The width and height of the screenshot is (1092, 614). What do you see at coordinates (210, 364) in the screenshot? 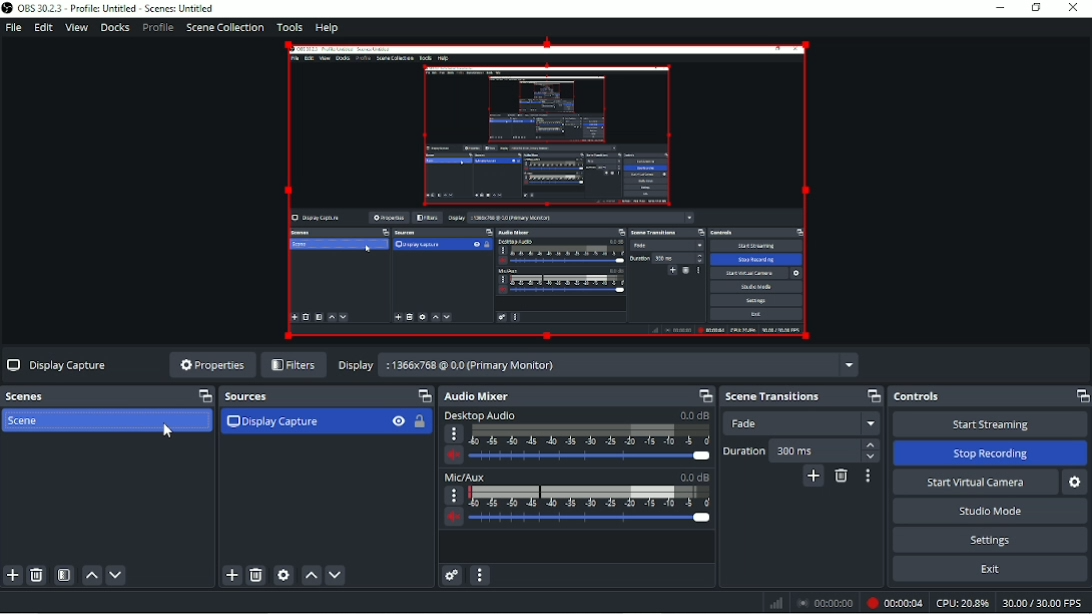
I see `Properties` at bounding box center [210, 364].